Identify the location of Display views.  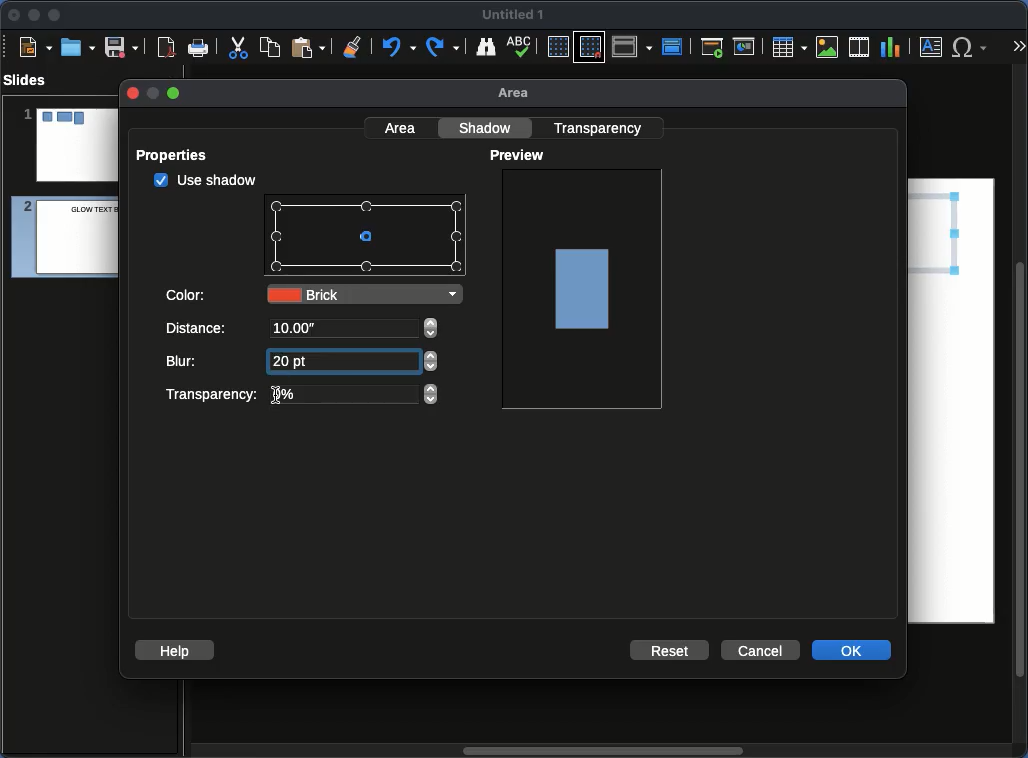
(635, 45).